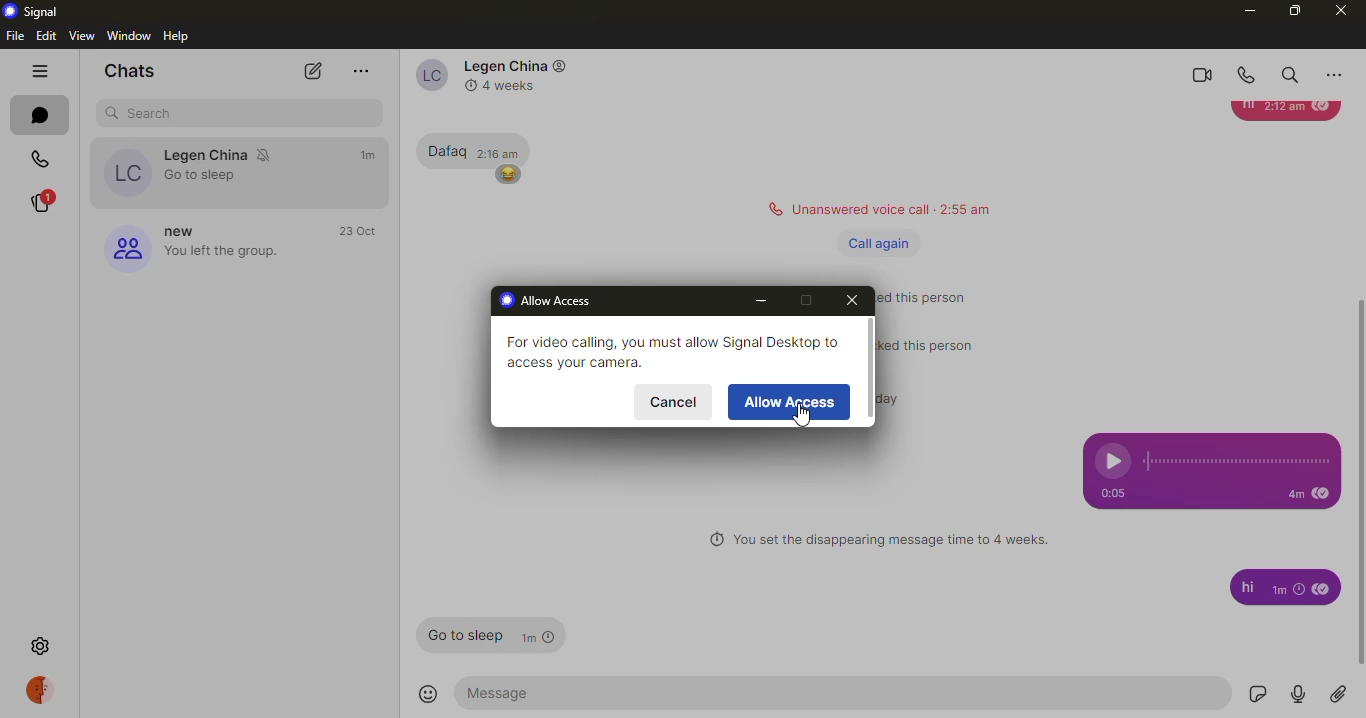 This screenshot has width=1366, height=718. I want to click on hide tabs, so click(35, 70).